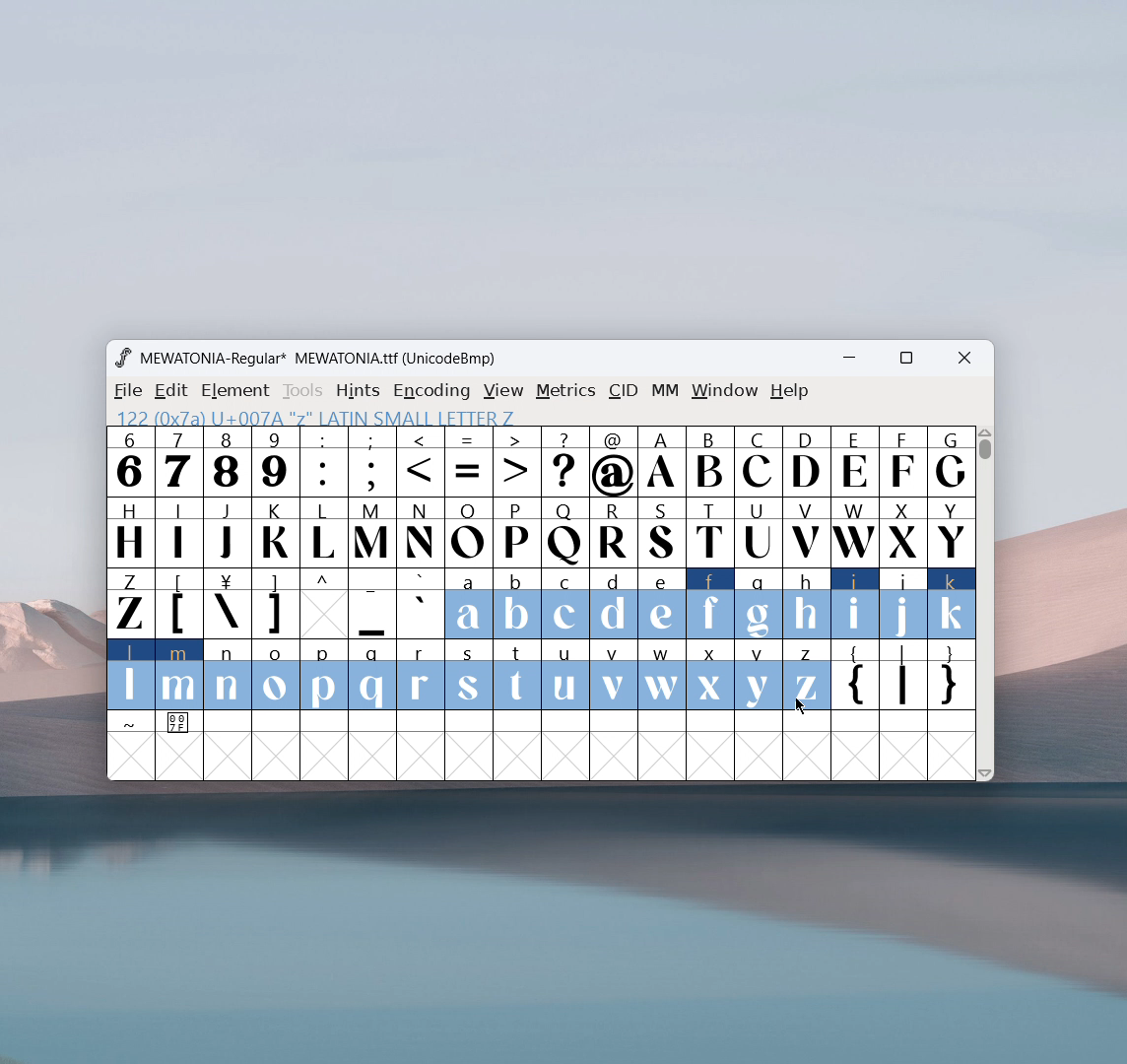 This screenshot has width=1127, height=1064. I want to click on O, so click(469, 532).